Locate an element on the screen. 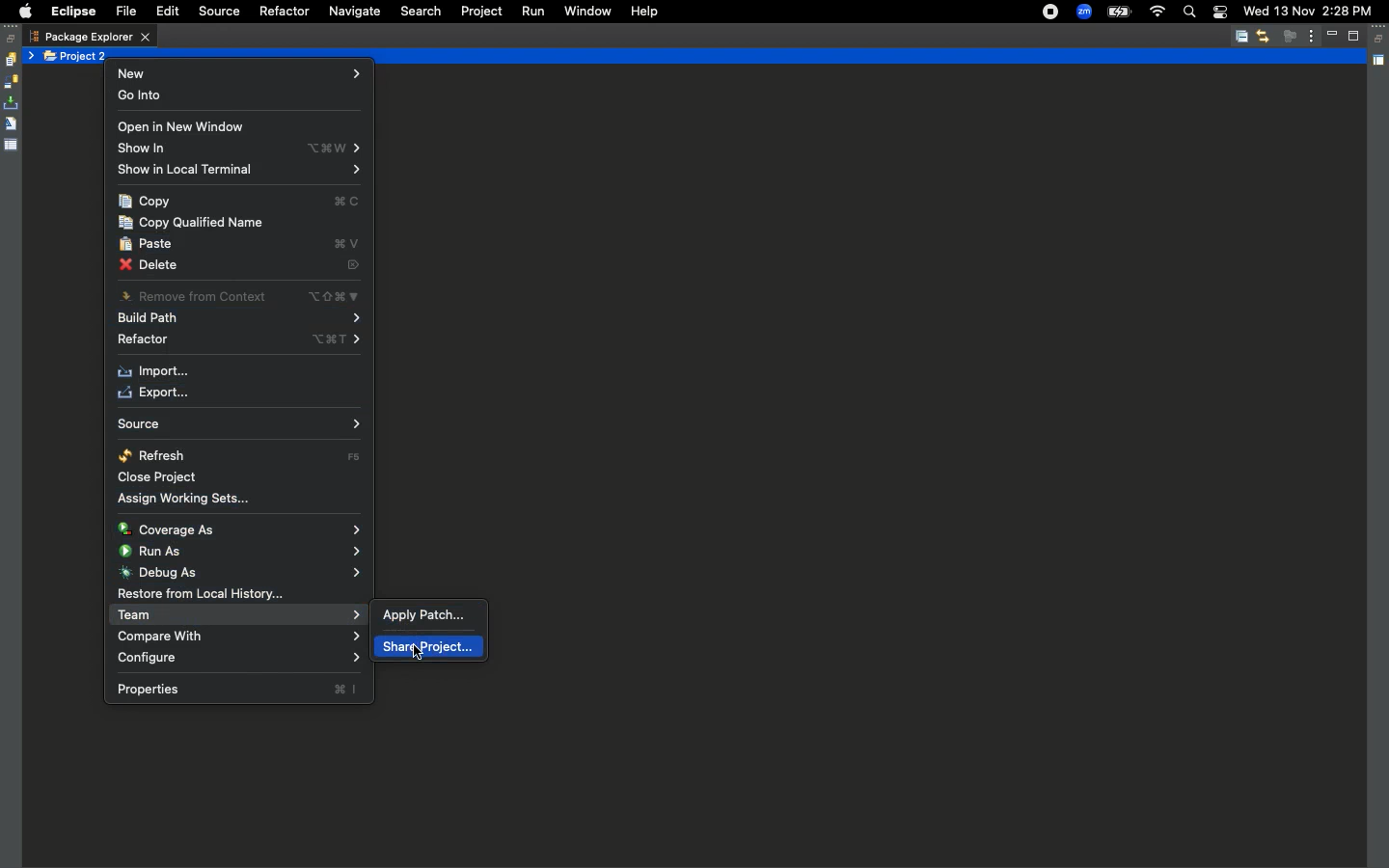 The image size is (1389, 868). Window is located at coordinates (586, 10).